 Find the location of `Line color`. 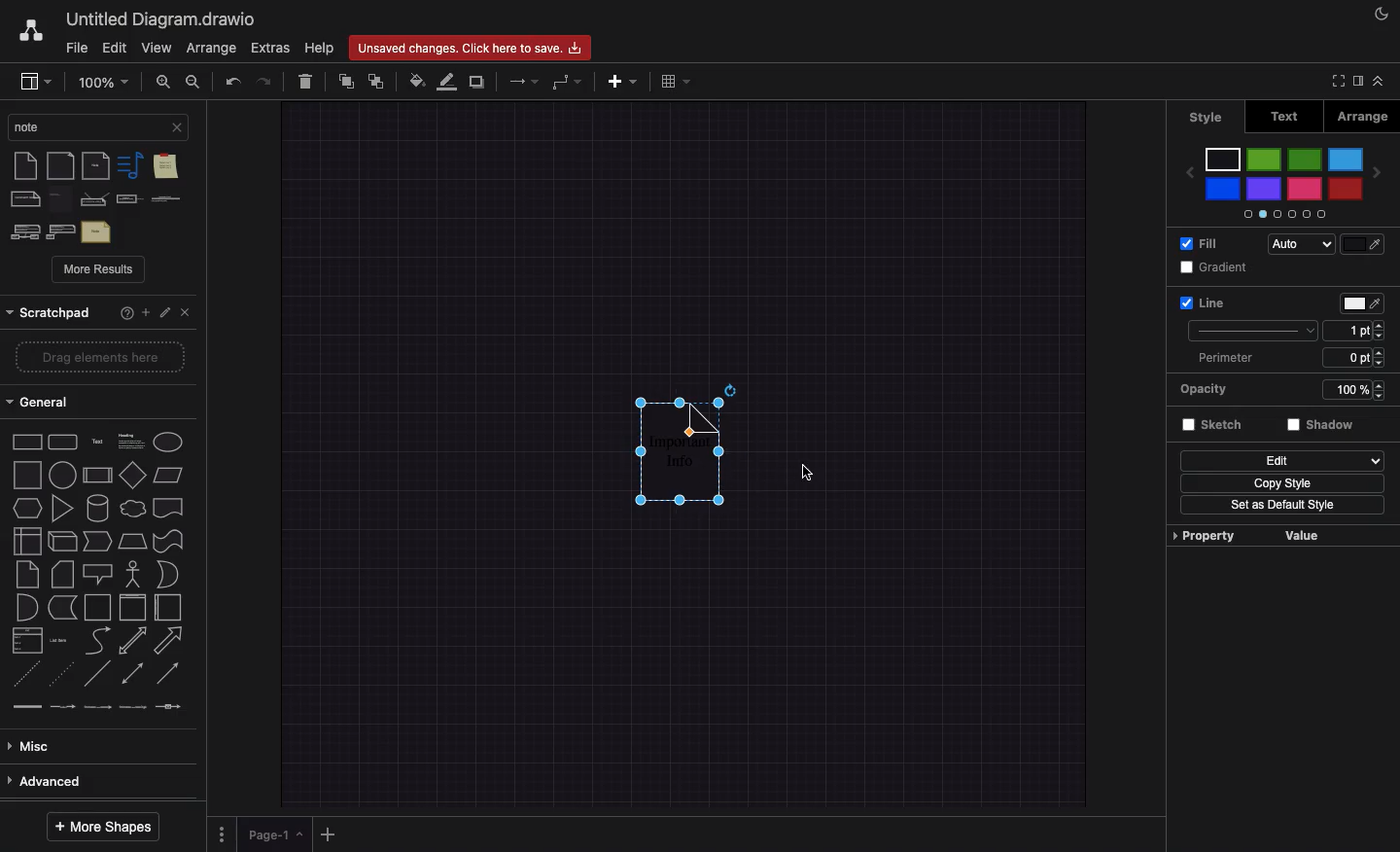

Line color is located at coordinates (447, 81).